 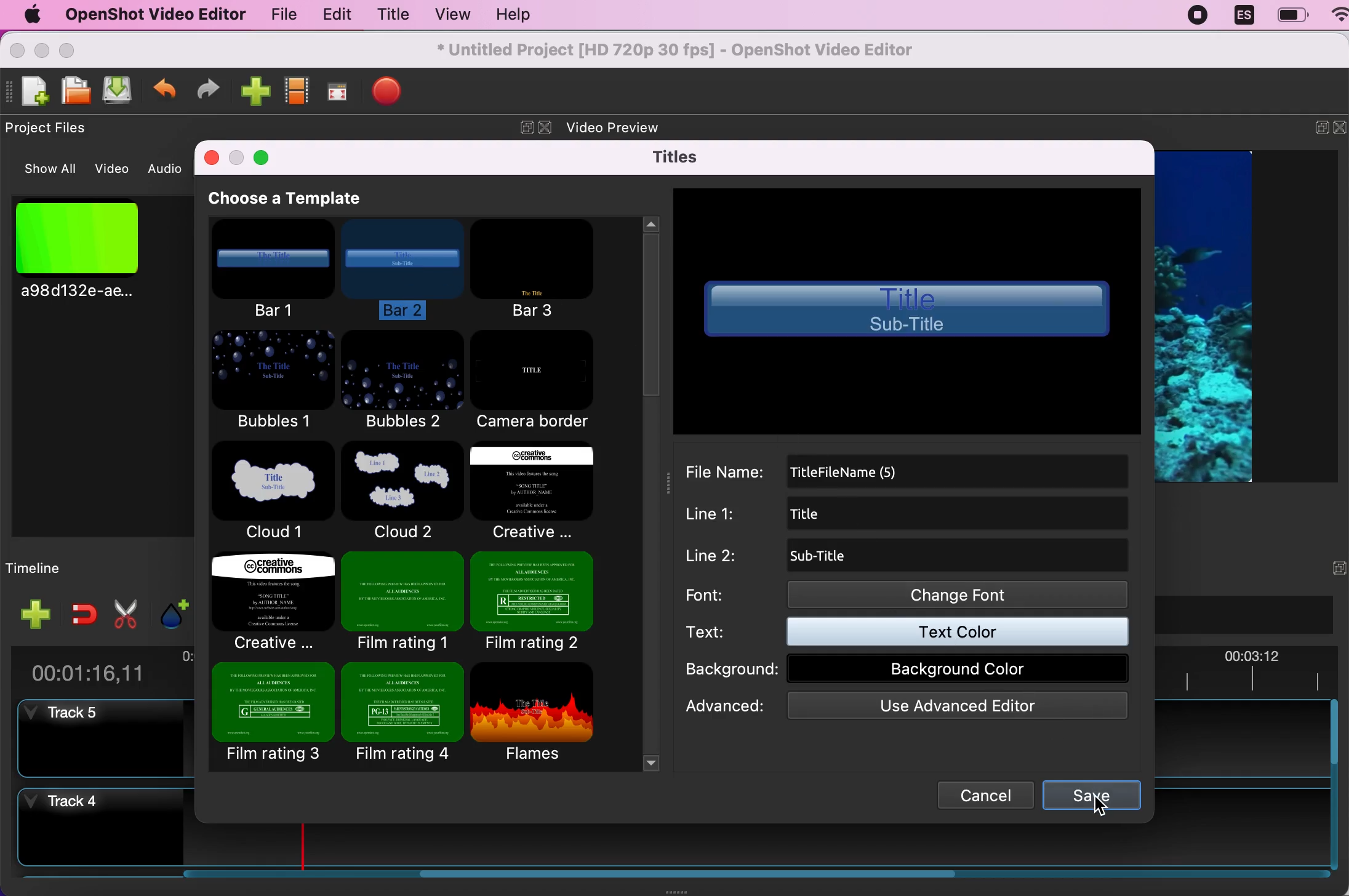 I want to click on add marker, so click(x=169, y=612).